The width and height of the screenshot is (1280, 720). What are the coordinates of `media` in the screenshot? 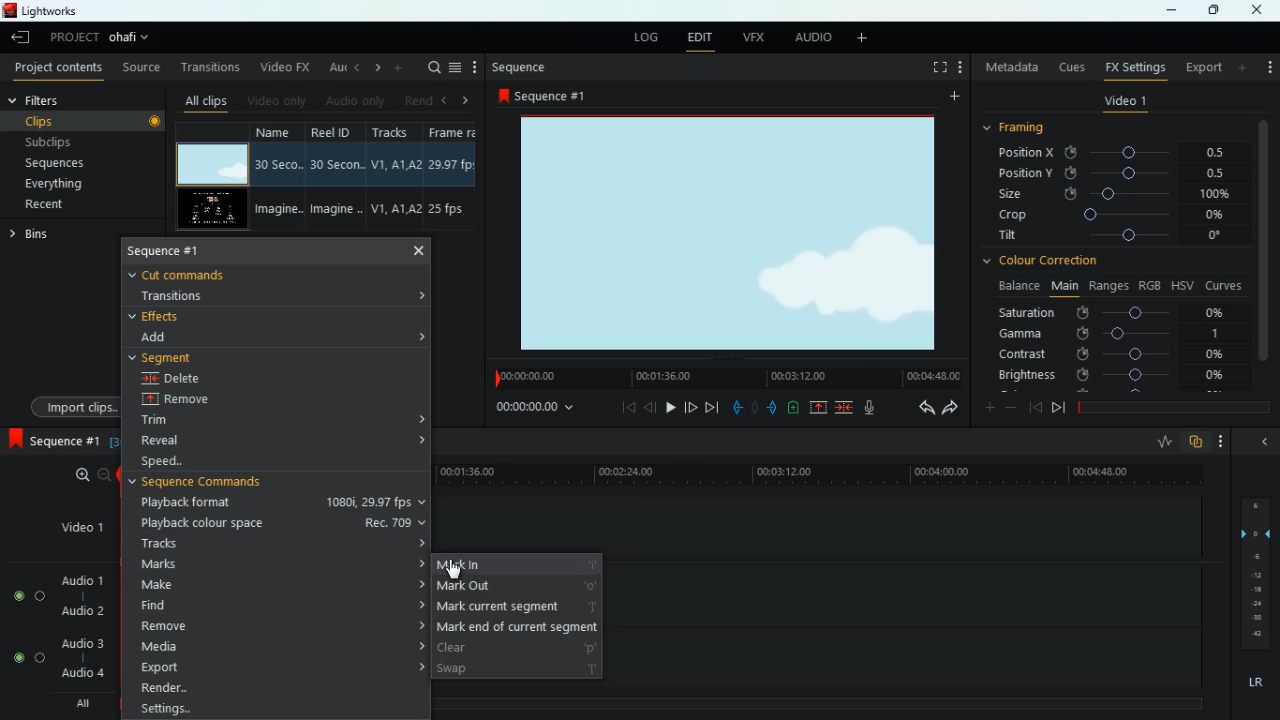 It's located at (286, 648).